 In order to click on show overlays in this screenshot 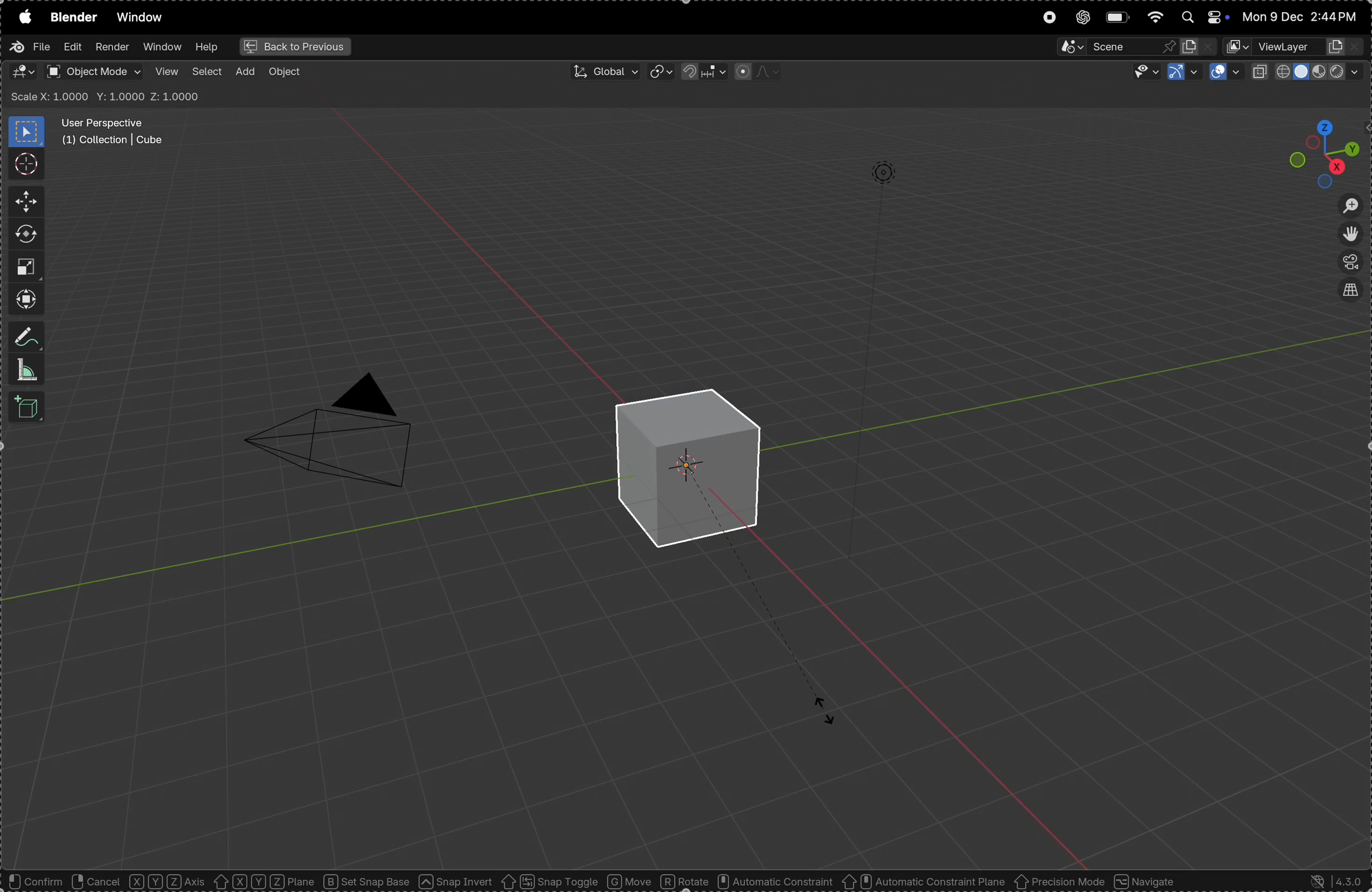, I will do `click(1225, 73)`.